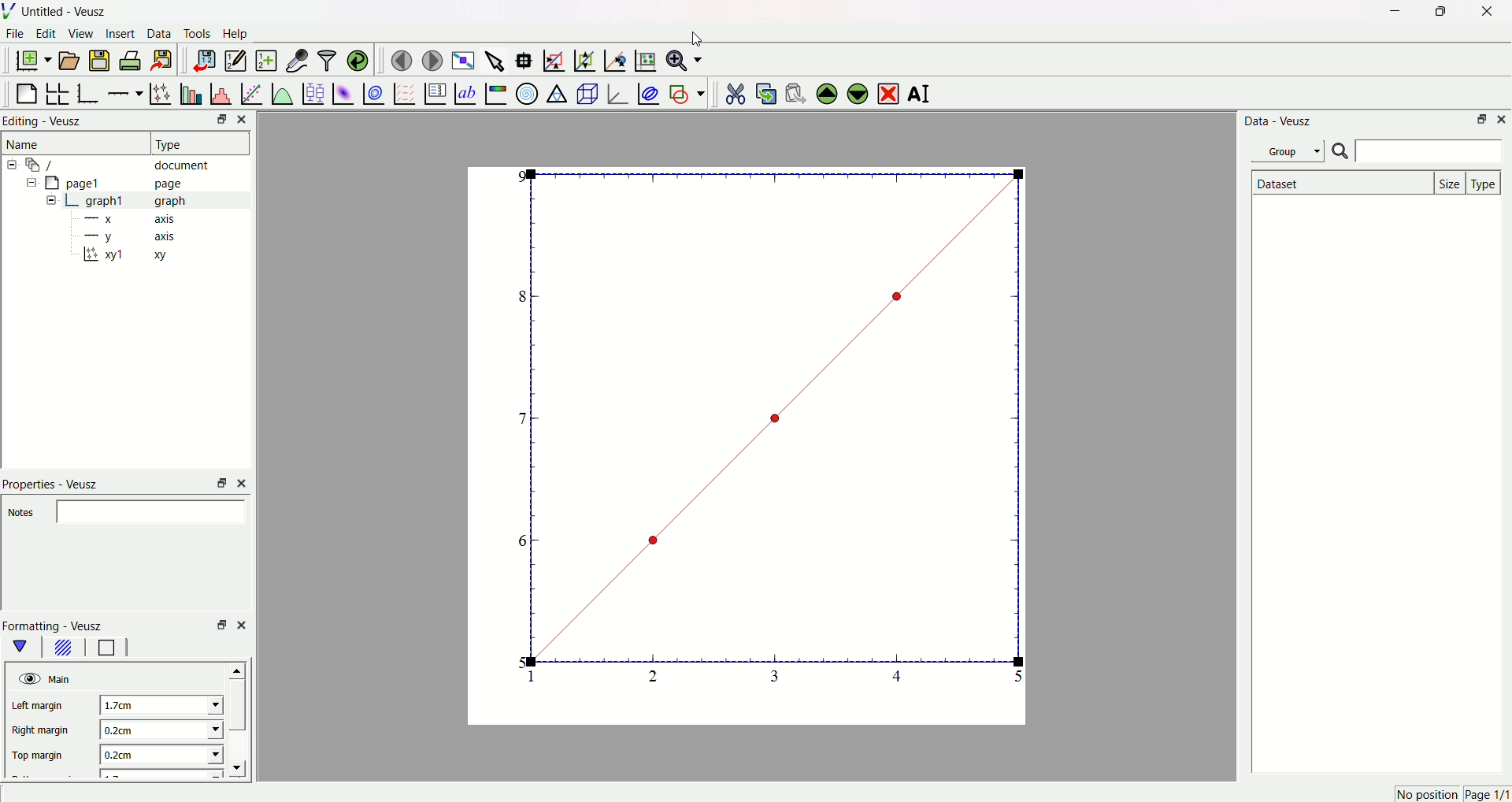  I want to click on expand, so click(52, 201).